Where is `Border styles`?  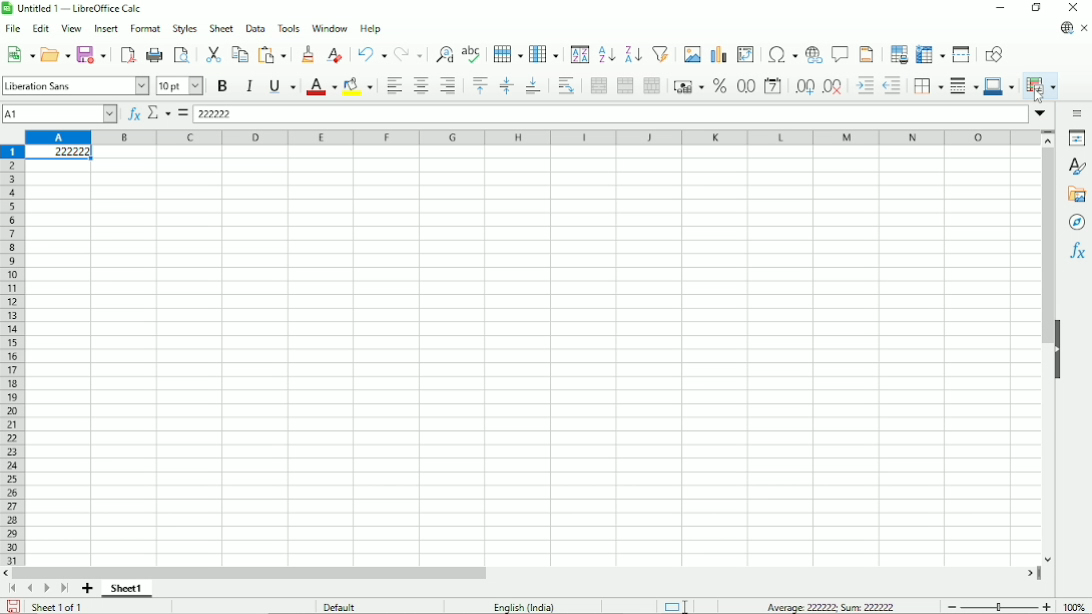
Border styles is located at coordinates (963, 85).